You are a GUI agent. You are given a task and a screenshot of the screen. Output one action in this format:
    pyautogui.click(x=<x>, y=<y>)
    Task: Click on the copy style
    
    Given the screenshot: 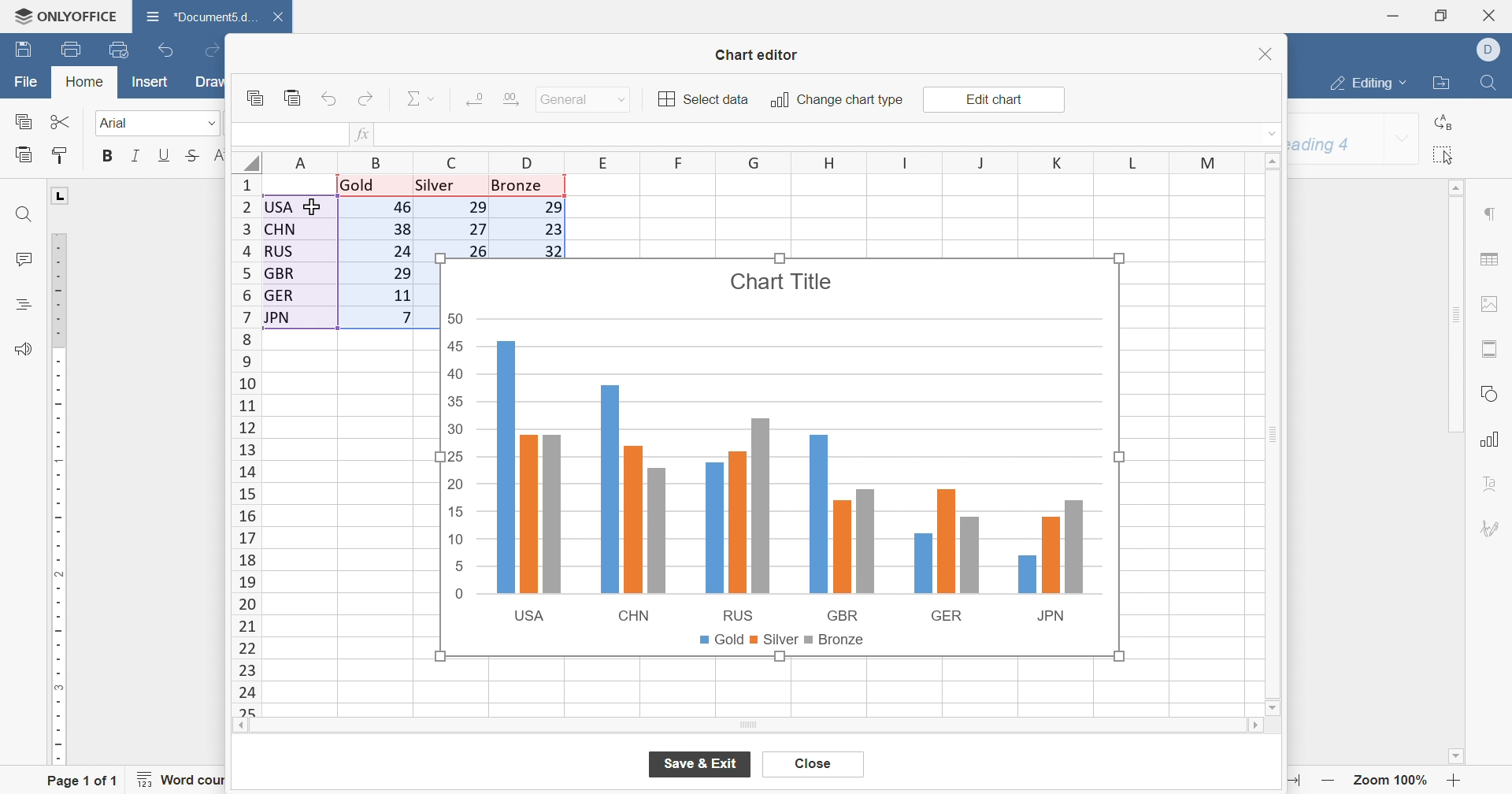 What is the action you would take?
    pyautogui.click(x=61, y=155)
    